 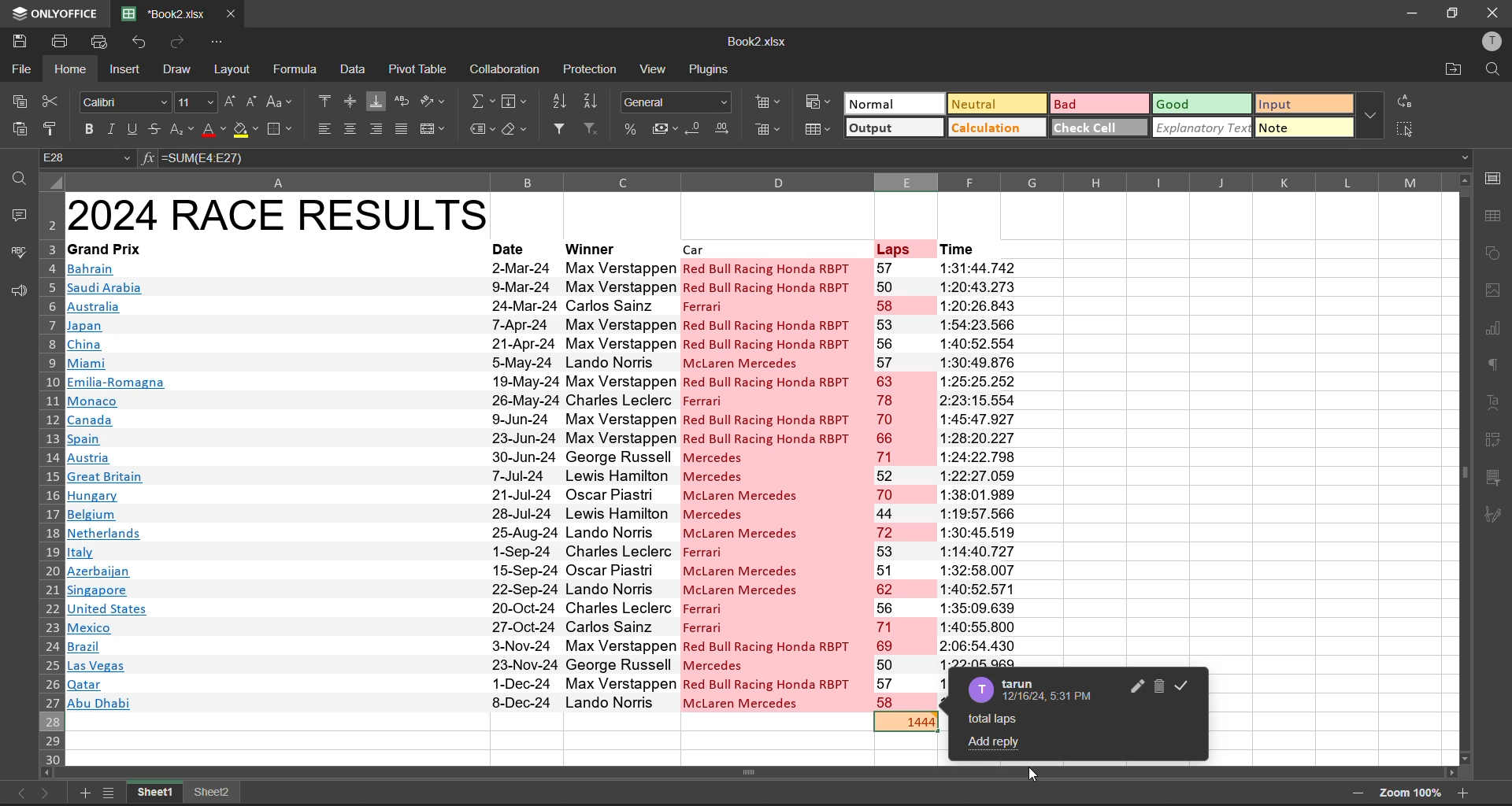 What do you see at coordinates (1493, 441) in the screenshot?
I see `pivot table` at bounding box center [1493, 441].